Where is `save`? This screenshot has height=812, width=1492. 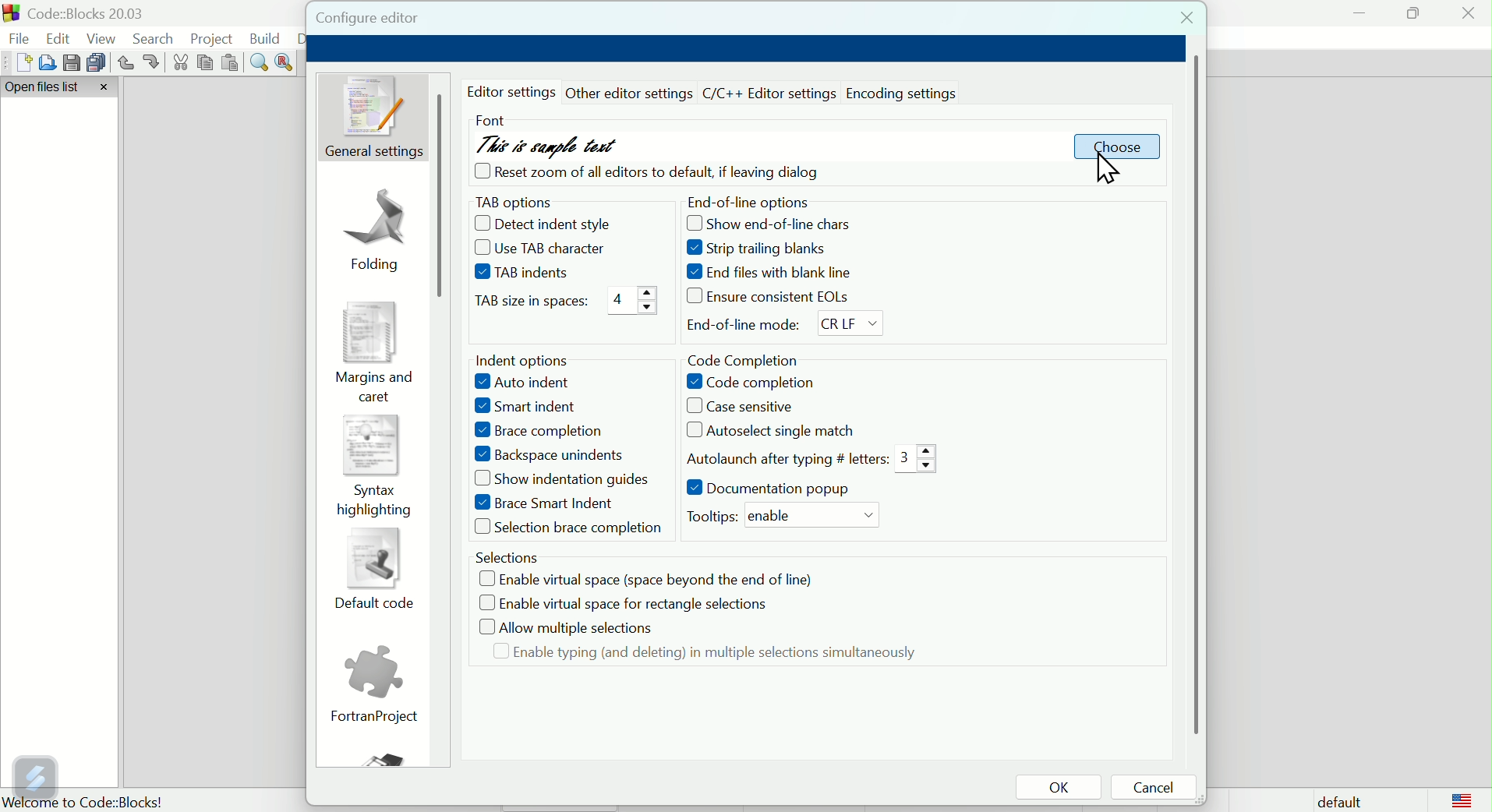
save is located at coordinates (69, 61).